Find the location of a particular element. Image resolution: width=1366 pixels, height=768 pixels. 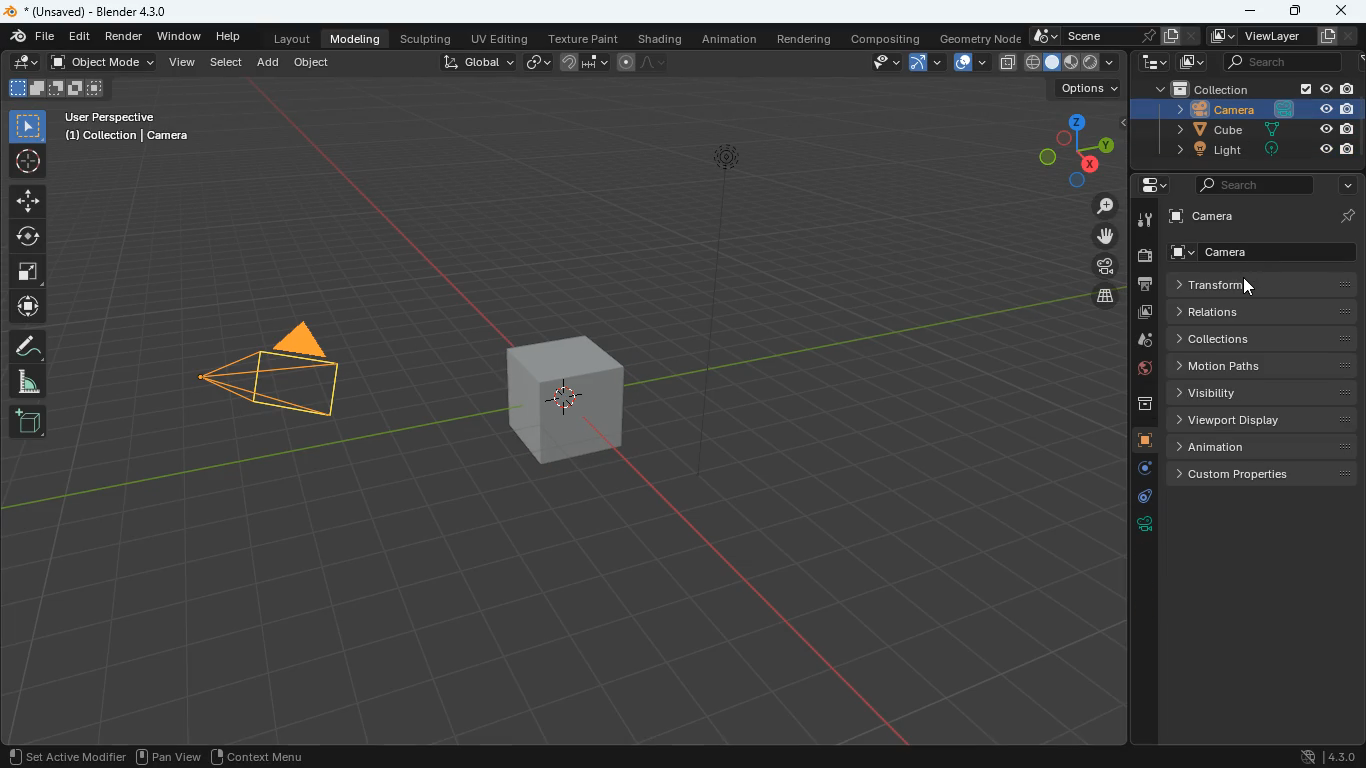

camera is located at coordinates (1265, 252).